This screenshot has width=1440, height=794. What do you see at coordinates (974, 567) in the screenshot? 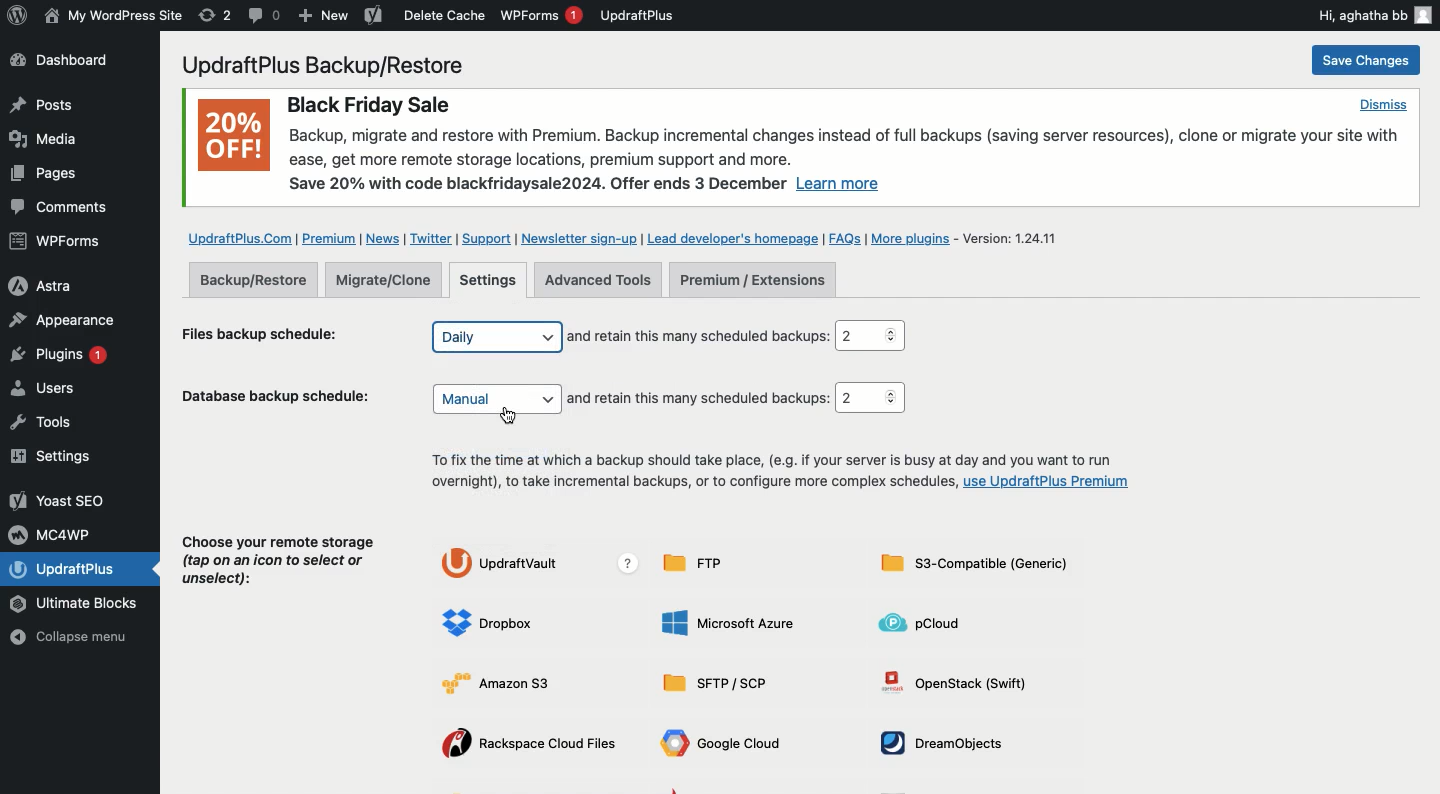
I see `S3-compatible generic` at bounding box center [974, 567].